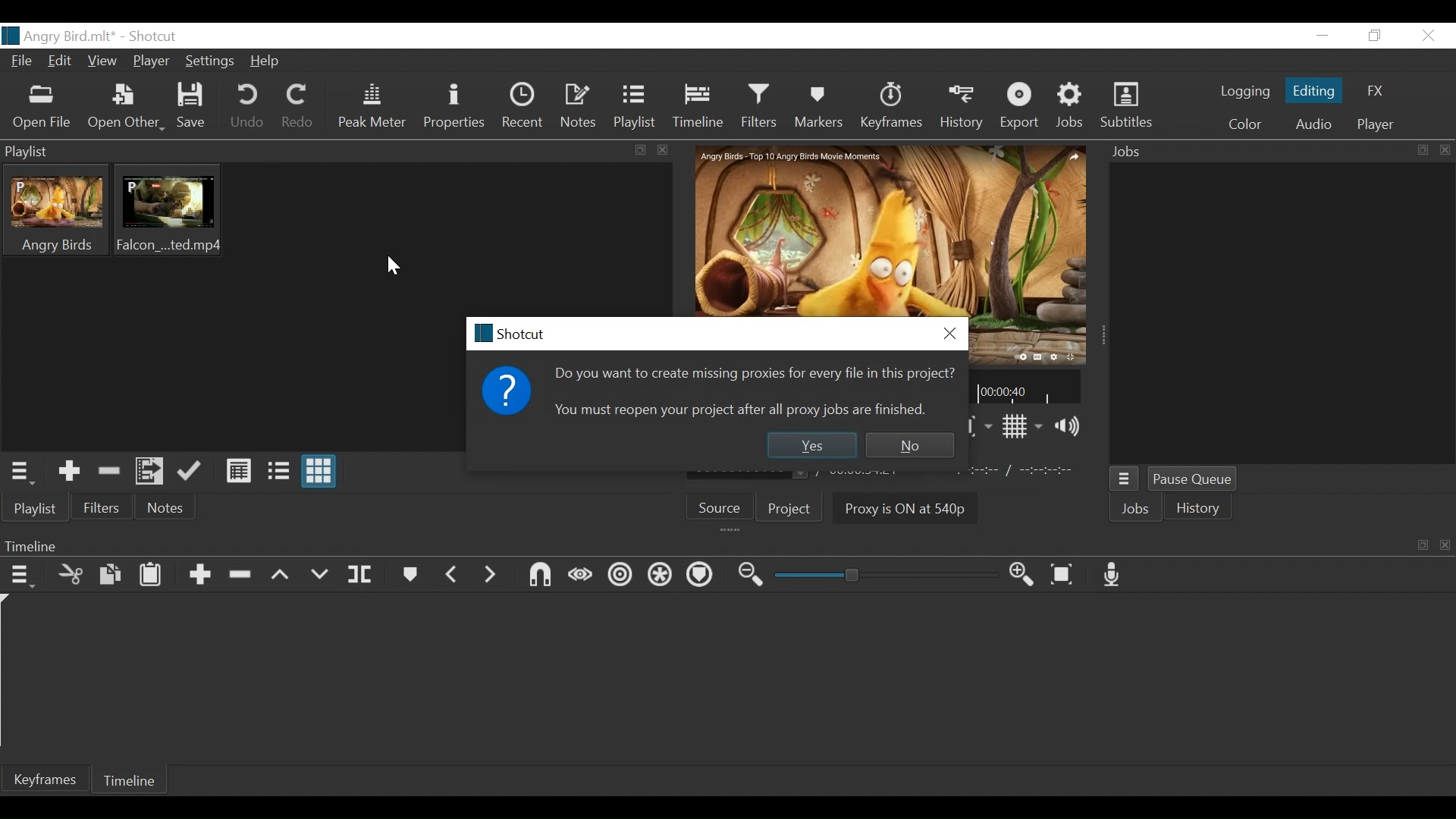  Describe the element at coordinates (1244, 92) in the screenshot. I see `logging` at that location.